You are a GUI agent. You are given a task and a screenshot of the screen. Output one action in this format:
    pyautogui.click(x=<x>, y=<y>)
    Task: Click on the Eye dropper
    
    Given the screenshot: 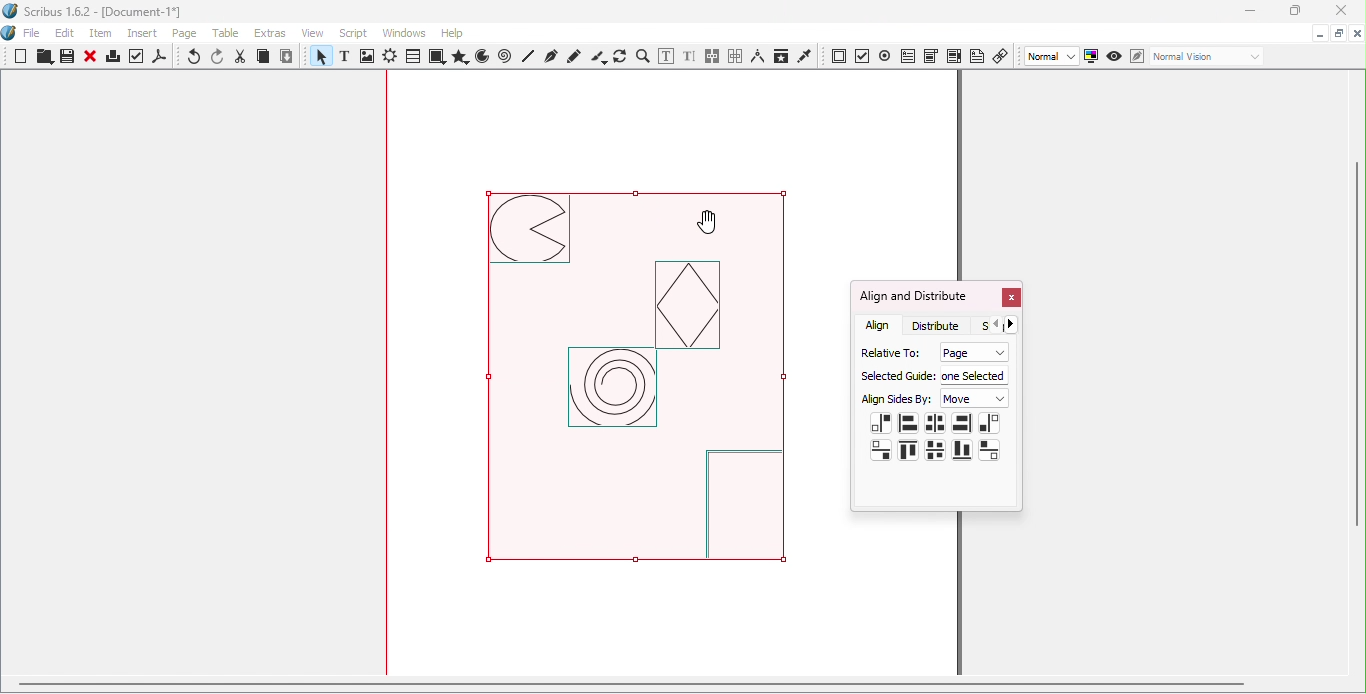 What is the action you would take?
    pyautogui.click(x=805, y=55)
    